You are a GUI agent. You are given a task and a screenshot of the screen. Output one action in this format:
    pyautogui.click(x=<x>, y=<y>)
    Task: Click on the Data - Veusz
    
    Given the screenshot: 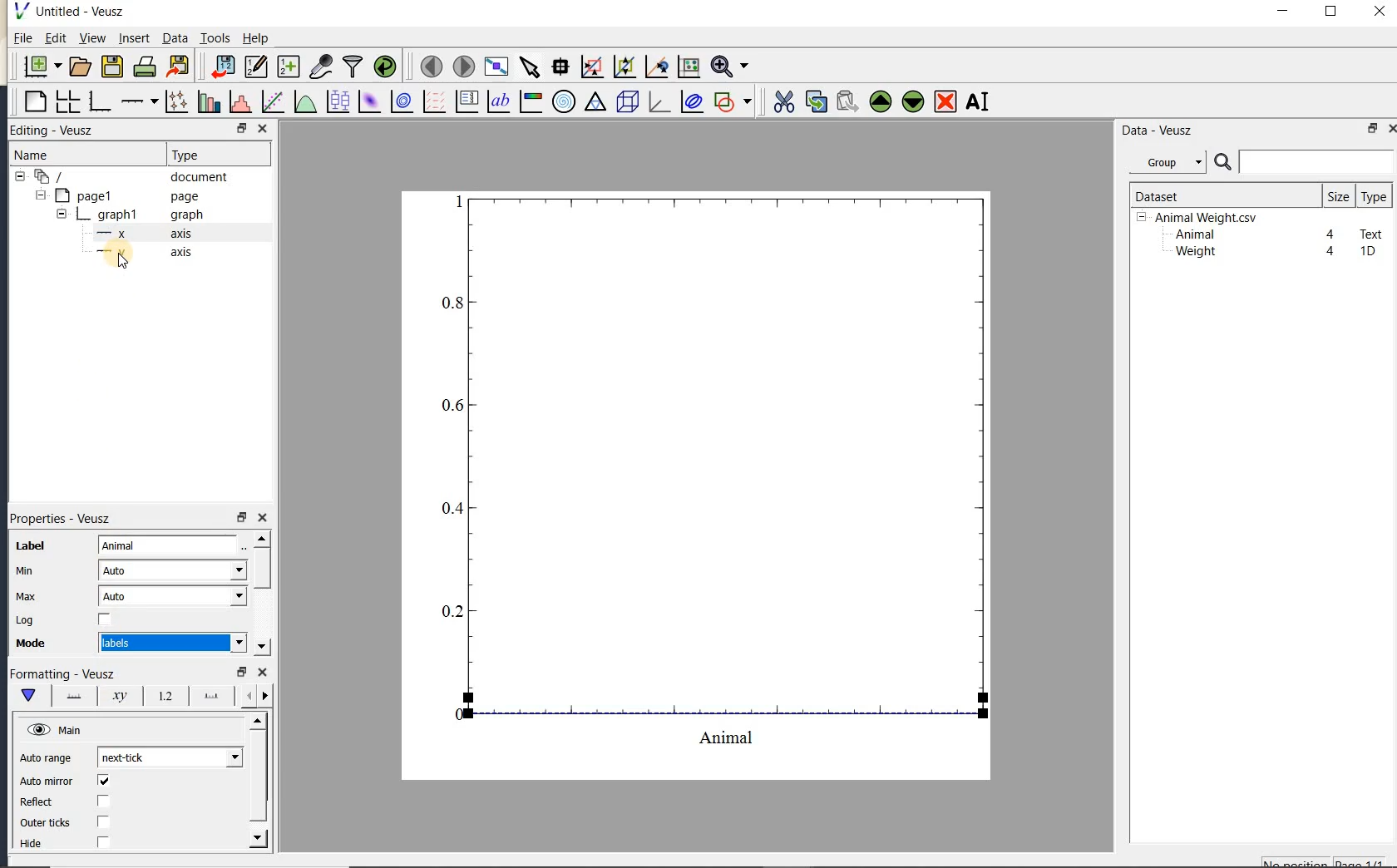 What is the action you would take?
    pyautogui.click(x=1172, y=163)
    